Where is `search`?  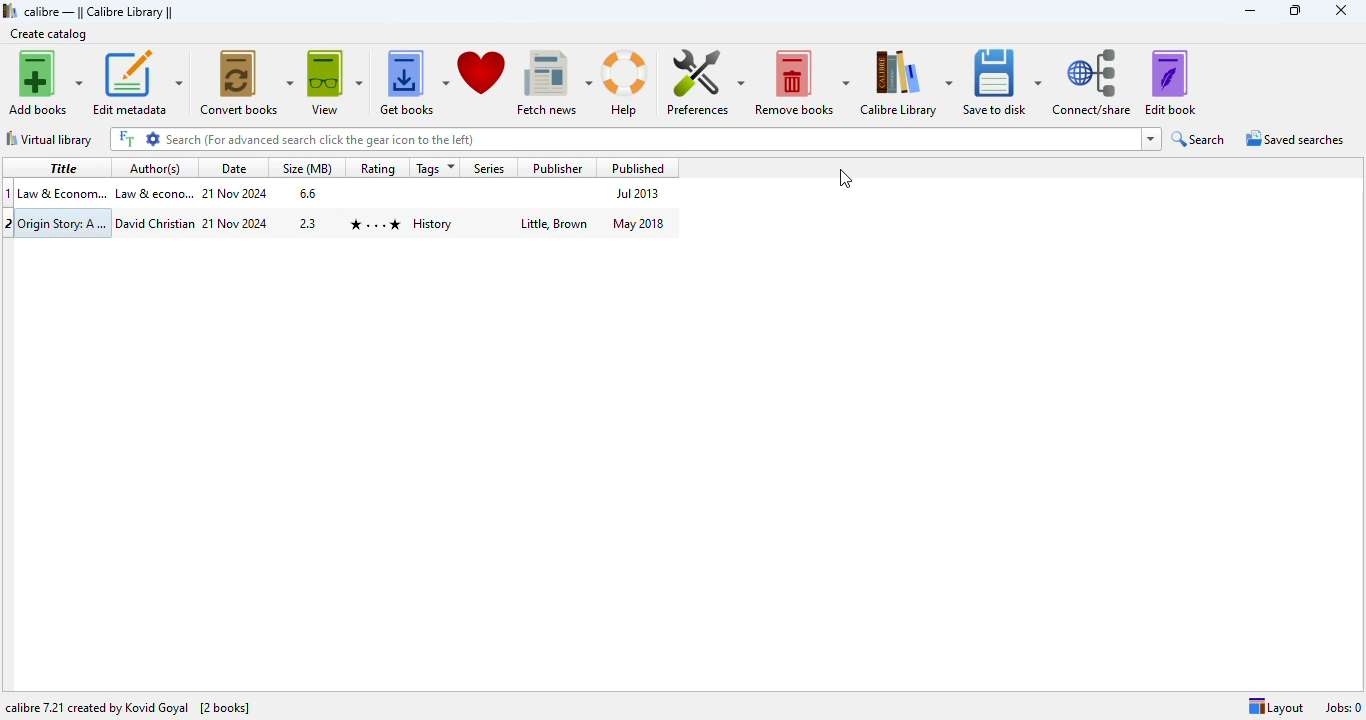
search is located at coordinates (1204, 138).